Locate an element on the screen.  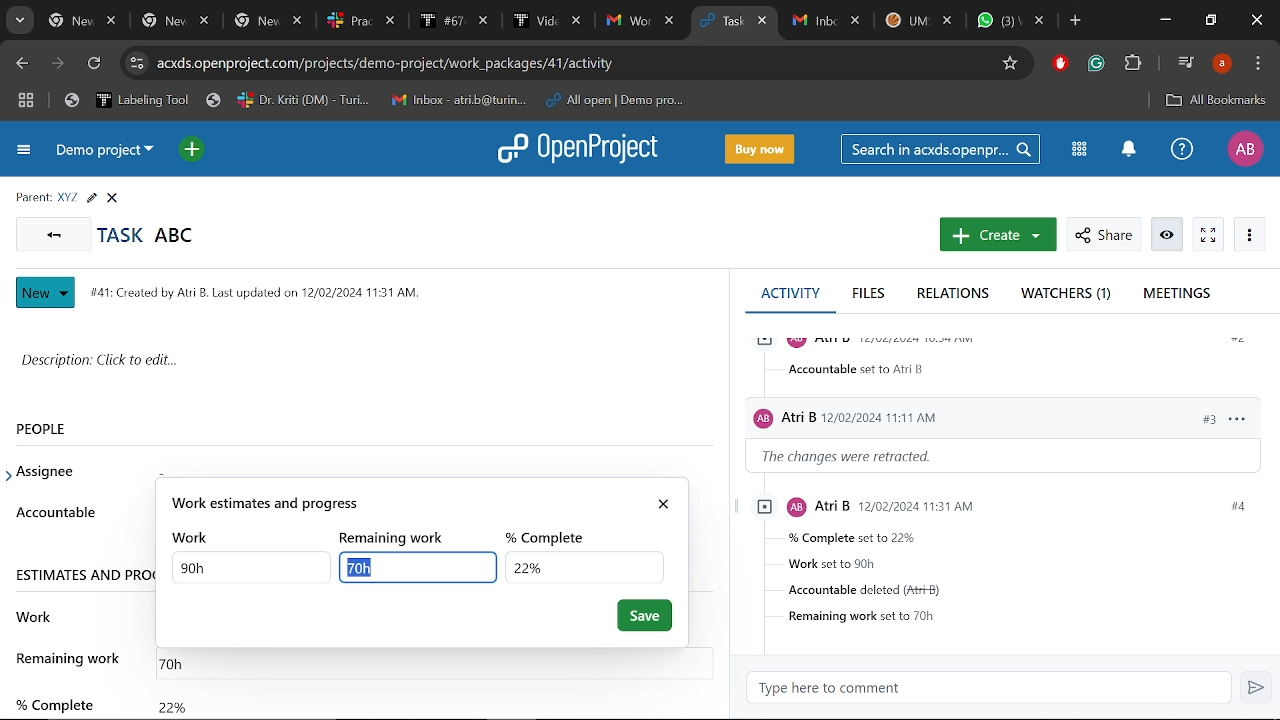
% complete is located at coordinates (552, 535).